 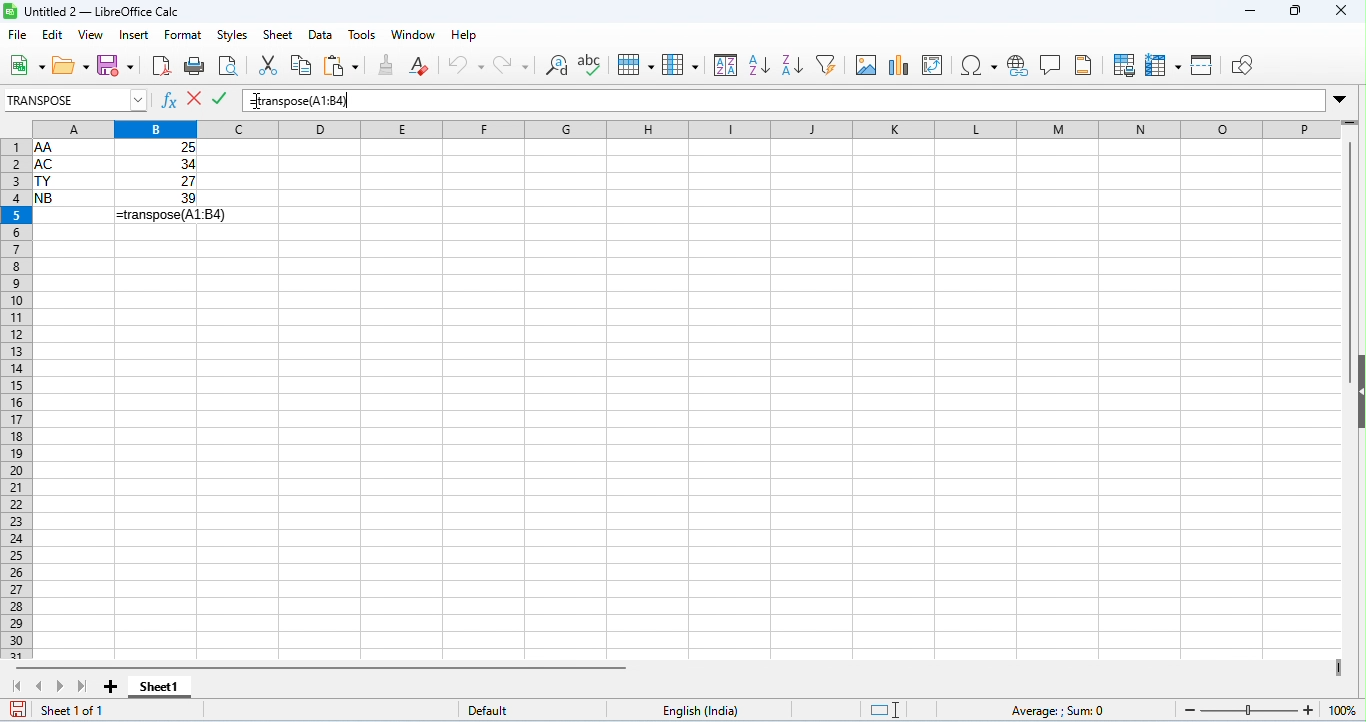 What do you see at coordinates (14, 399) in the screenshot?
I see `row numbers` at bounding box center [14, 399].